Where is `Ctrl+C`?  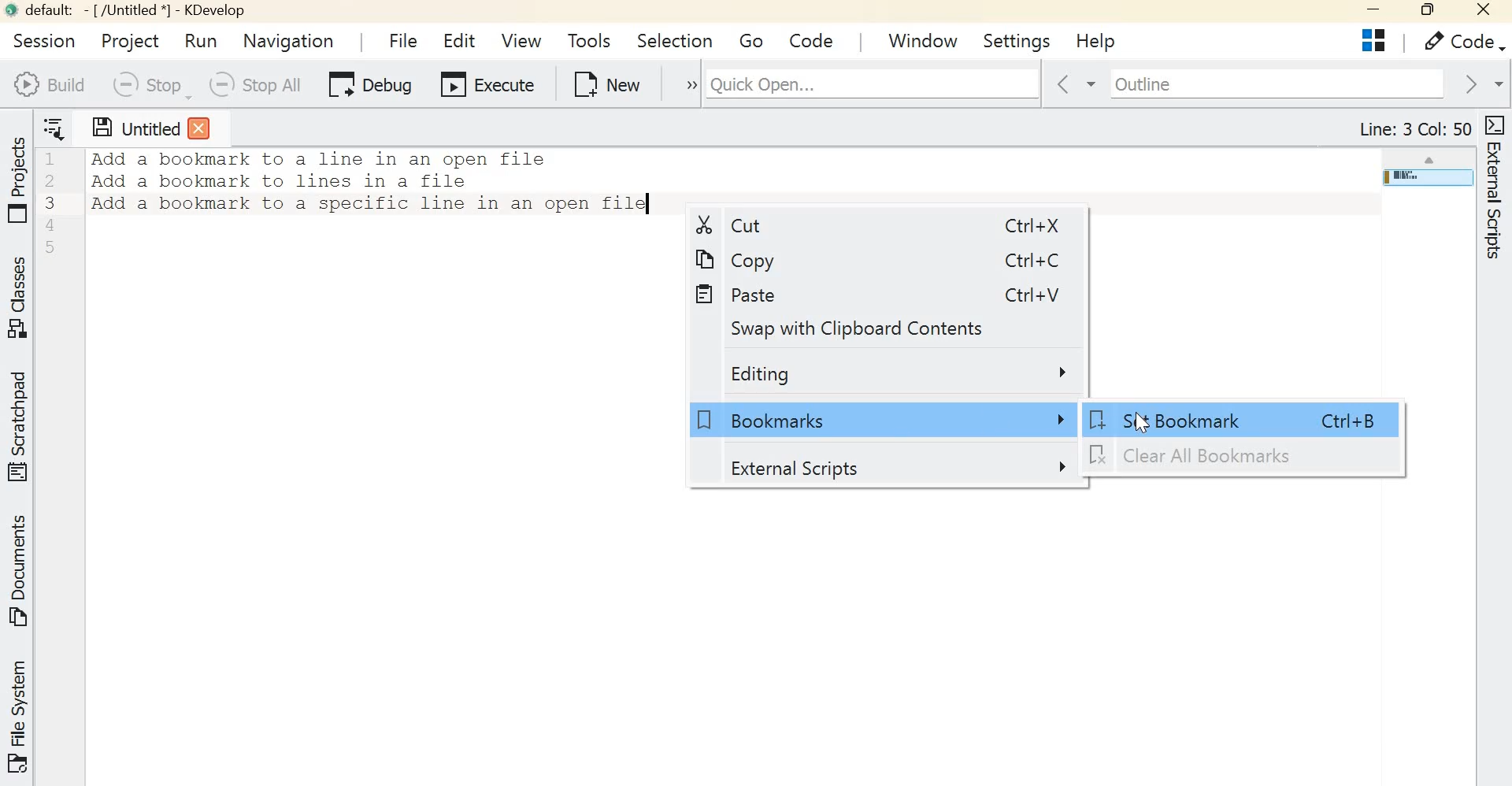
Ctrl+C is located at coordinates (1035, 261).